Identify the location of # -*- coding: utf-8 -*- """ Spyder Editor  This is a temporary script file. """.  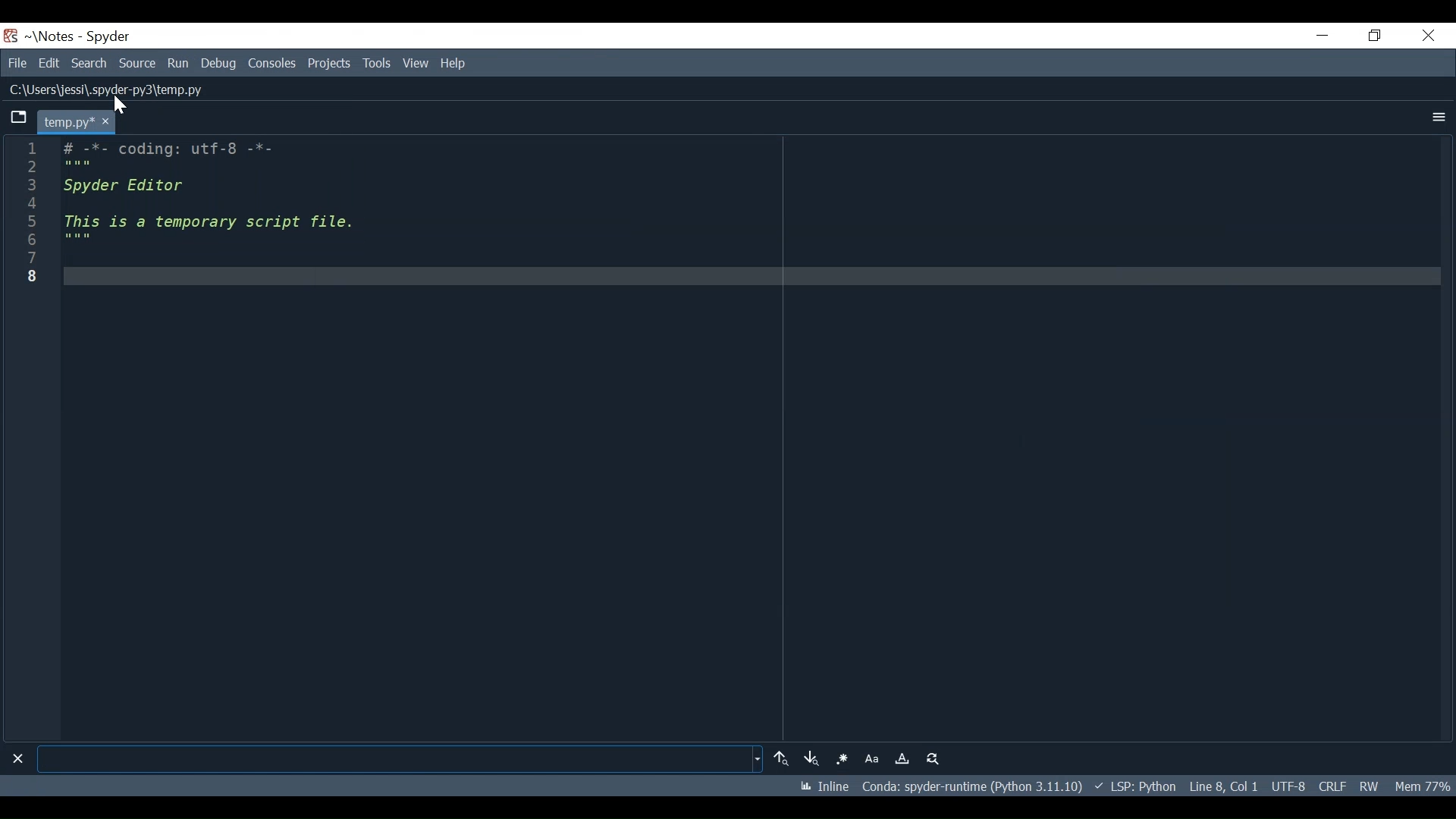
(747, 437).